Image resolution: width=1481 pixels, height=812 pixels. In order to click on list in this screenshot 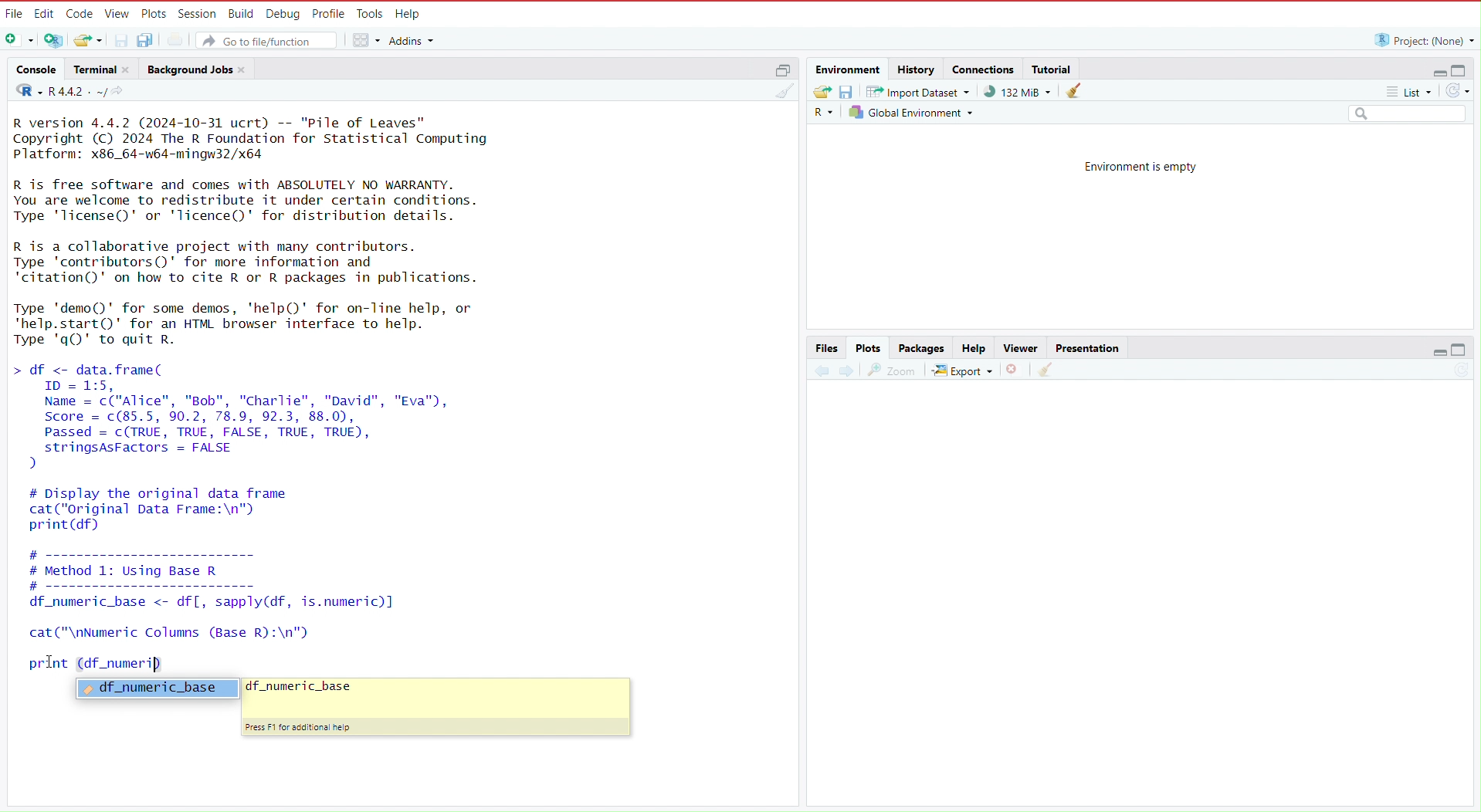, I will do `click(1415, 91)`.